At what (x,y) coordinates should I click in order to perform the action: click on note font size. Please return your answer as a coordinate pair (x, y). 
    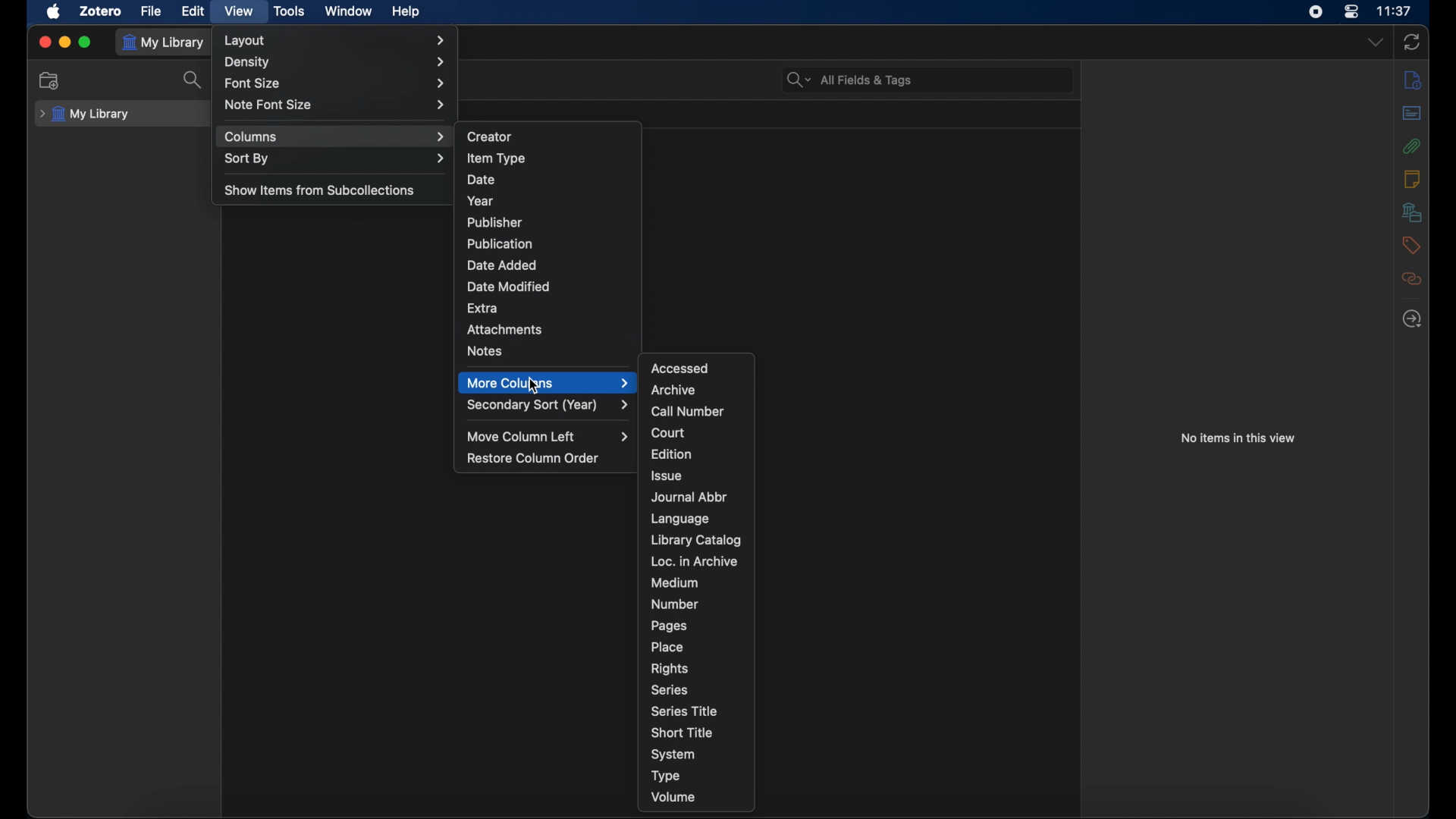
    Looking at the image, I should click on (337, 105).